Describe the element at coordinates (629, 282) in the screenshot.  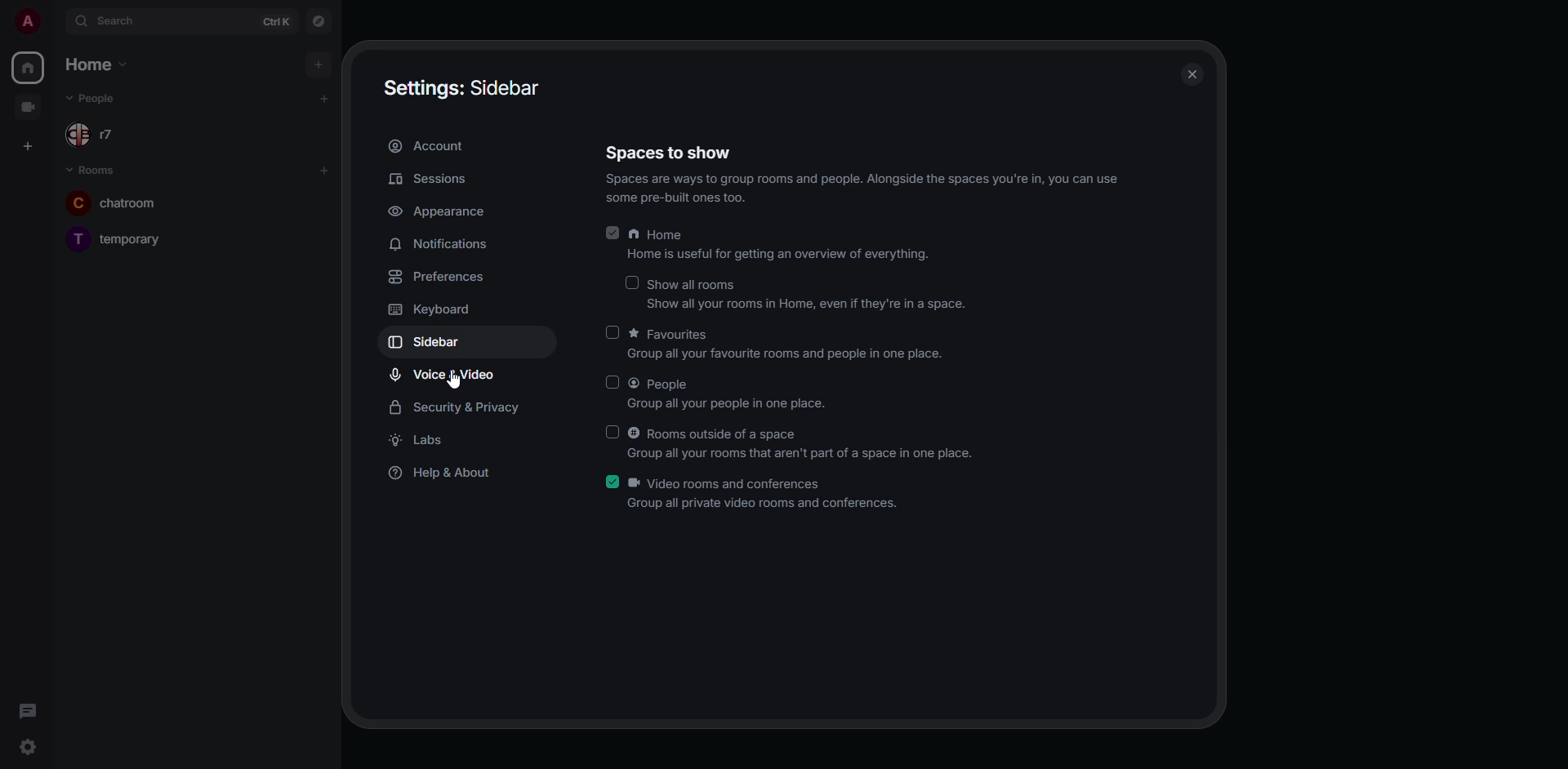
I see `click to enable` at that location.